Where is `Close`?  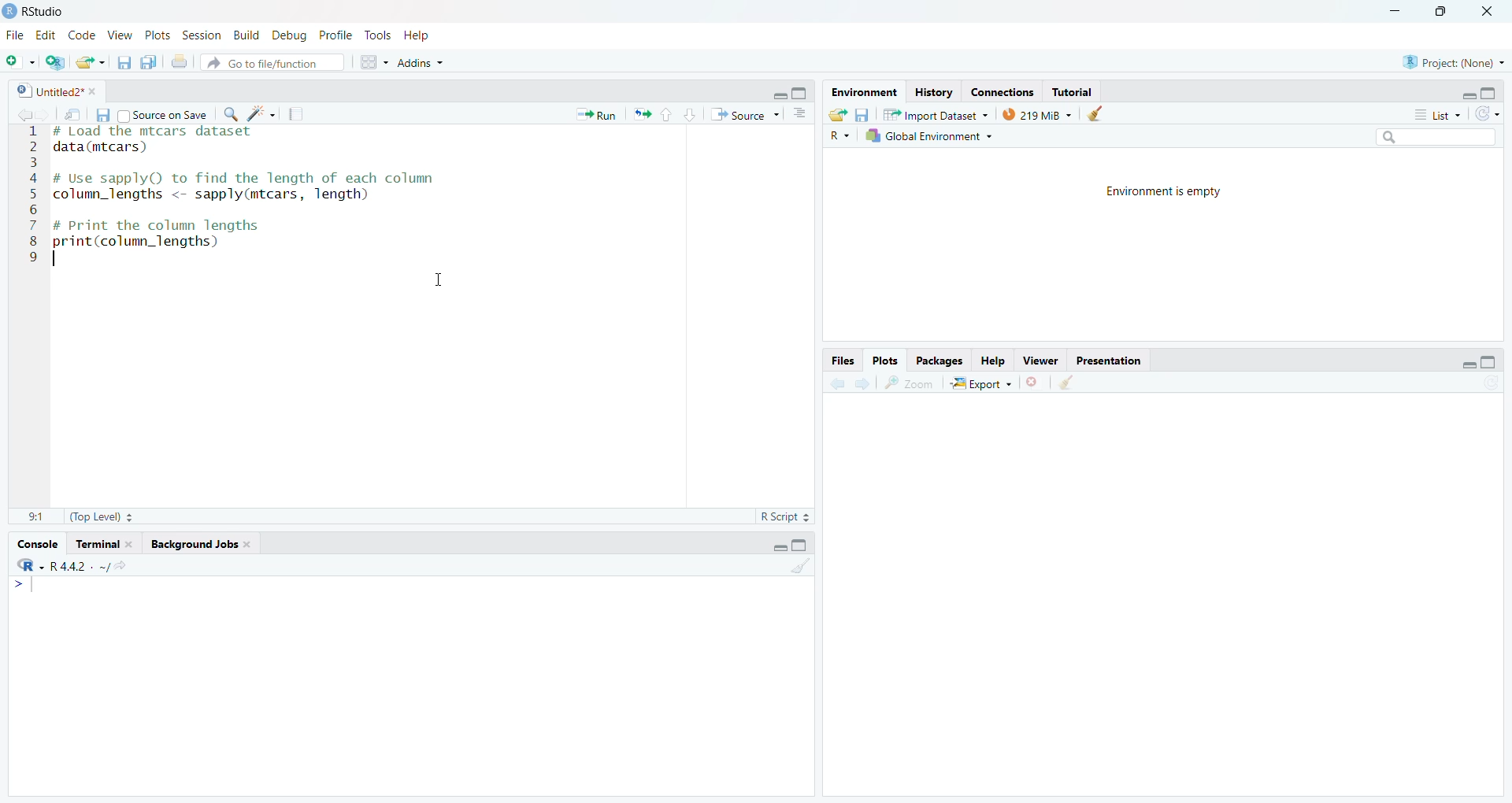 Close is located at coordinates (1490, 13).